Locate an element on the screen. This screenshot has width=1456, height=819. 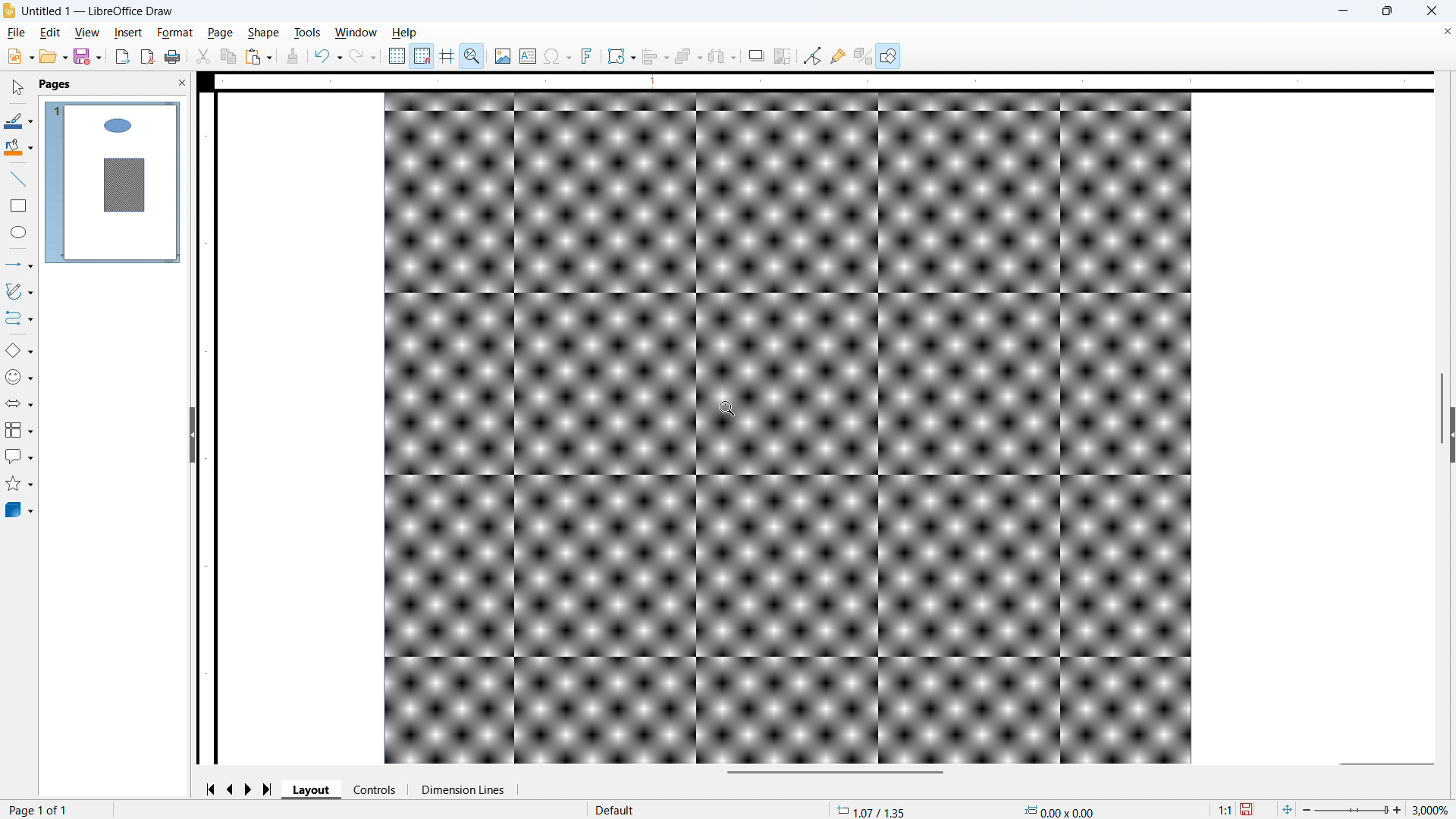
Print  is located at coordinates (173, 56).